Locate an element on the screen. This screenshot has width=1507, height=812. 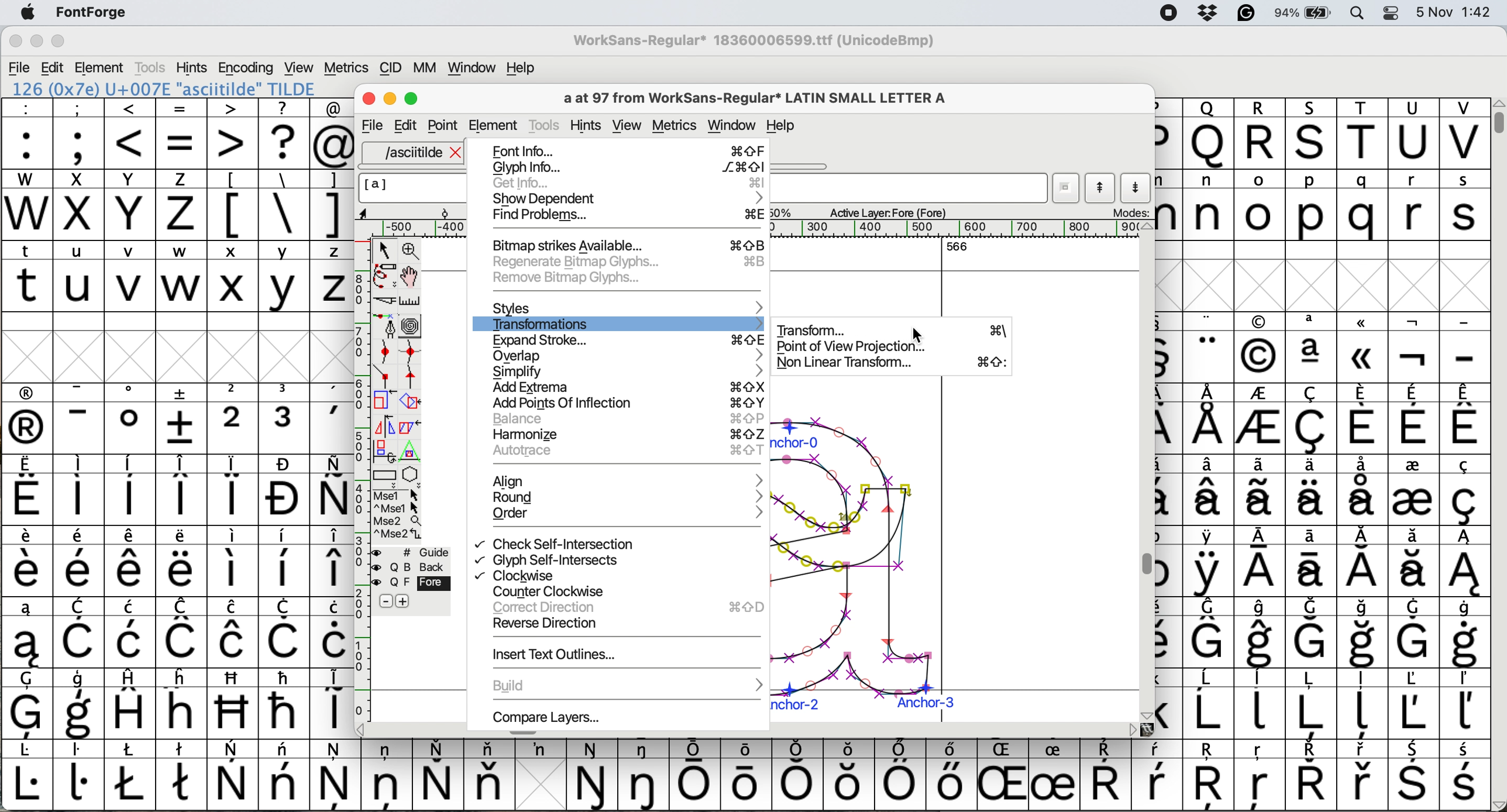
symbol is located at coordinates (1414, 776).